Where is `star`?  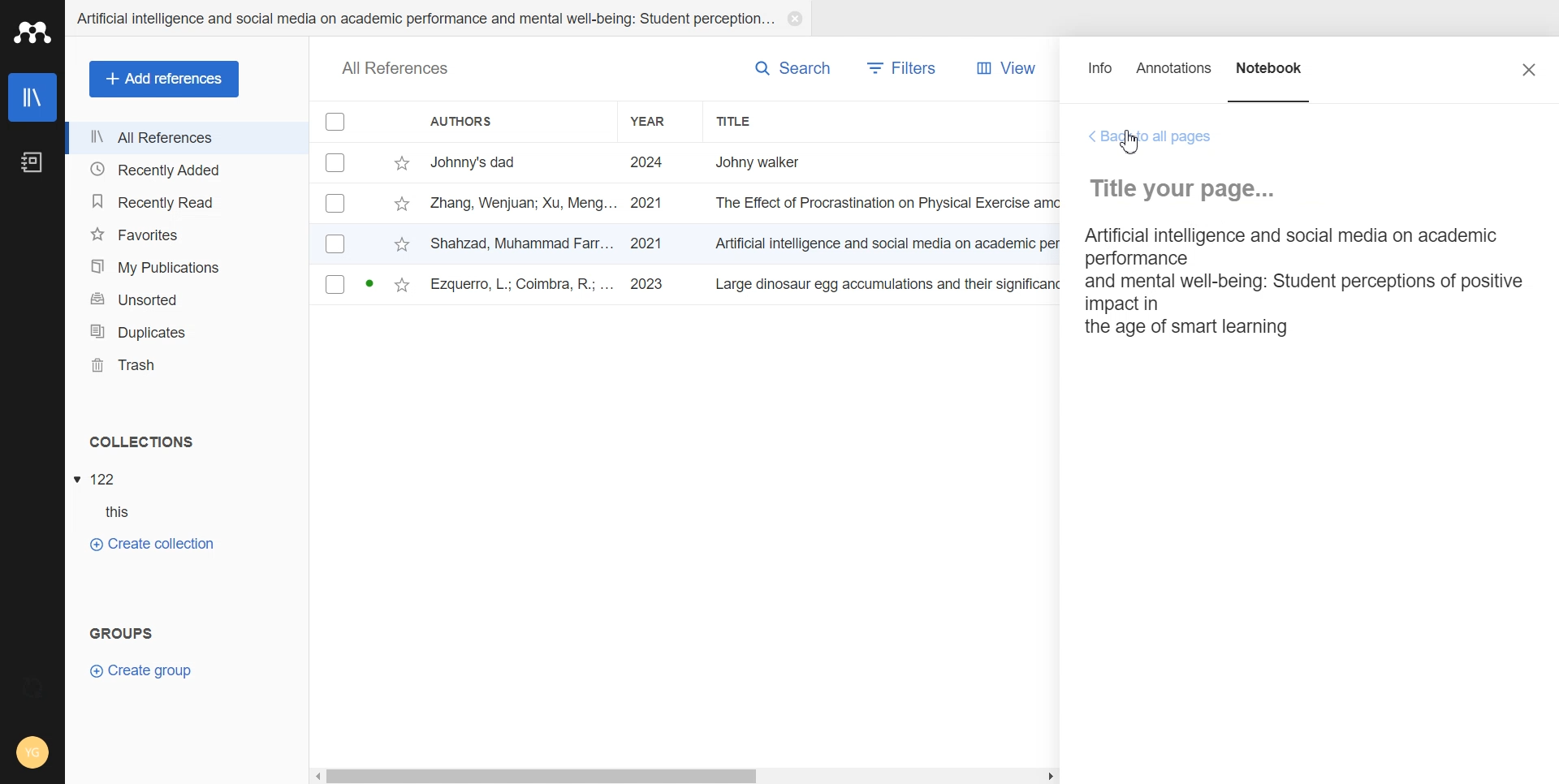
star is located at coordinates (402, 286).